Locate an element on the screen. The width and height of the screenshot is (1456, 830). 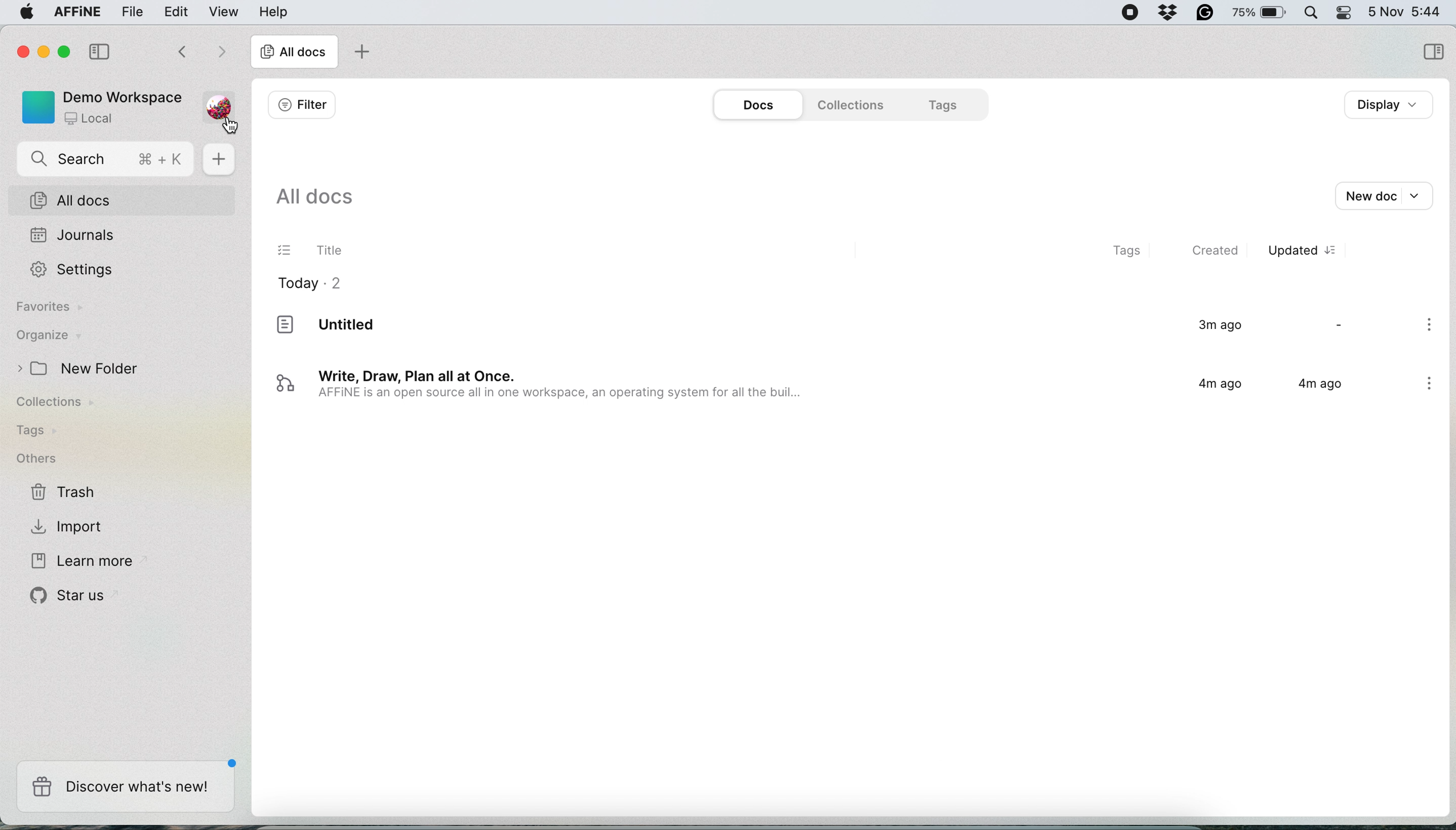
Write, Draw, Plan all at Once.AFFINE is an open source all in one workspace, an operating system for all the buil is located at coordinates (544, 389).